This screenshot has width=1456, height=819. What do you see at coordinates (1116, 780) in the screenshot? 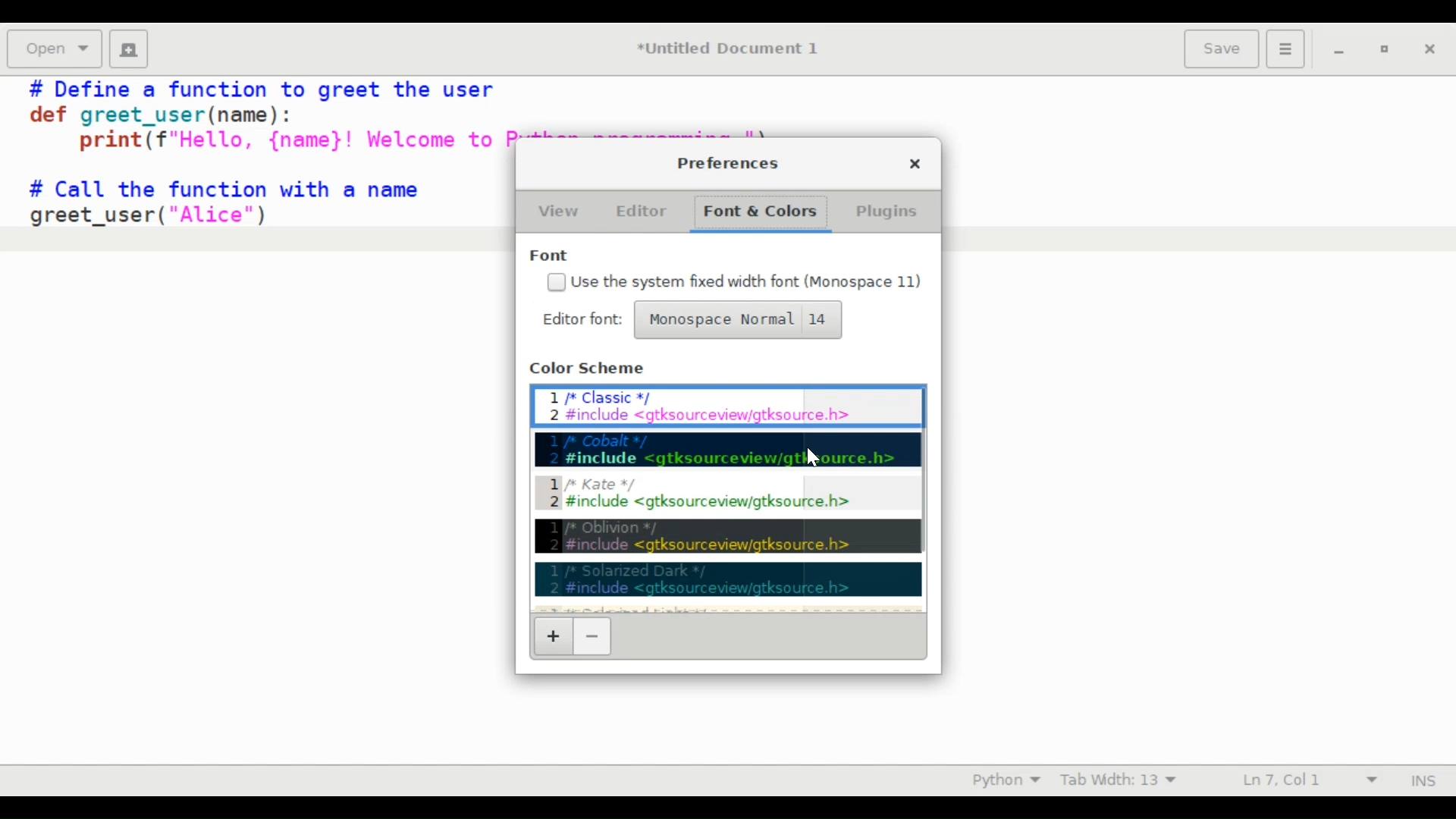
I see `Tab Width` at bounding box center [1116, 780].